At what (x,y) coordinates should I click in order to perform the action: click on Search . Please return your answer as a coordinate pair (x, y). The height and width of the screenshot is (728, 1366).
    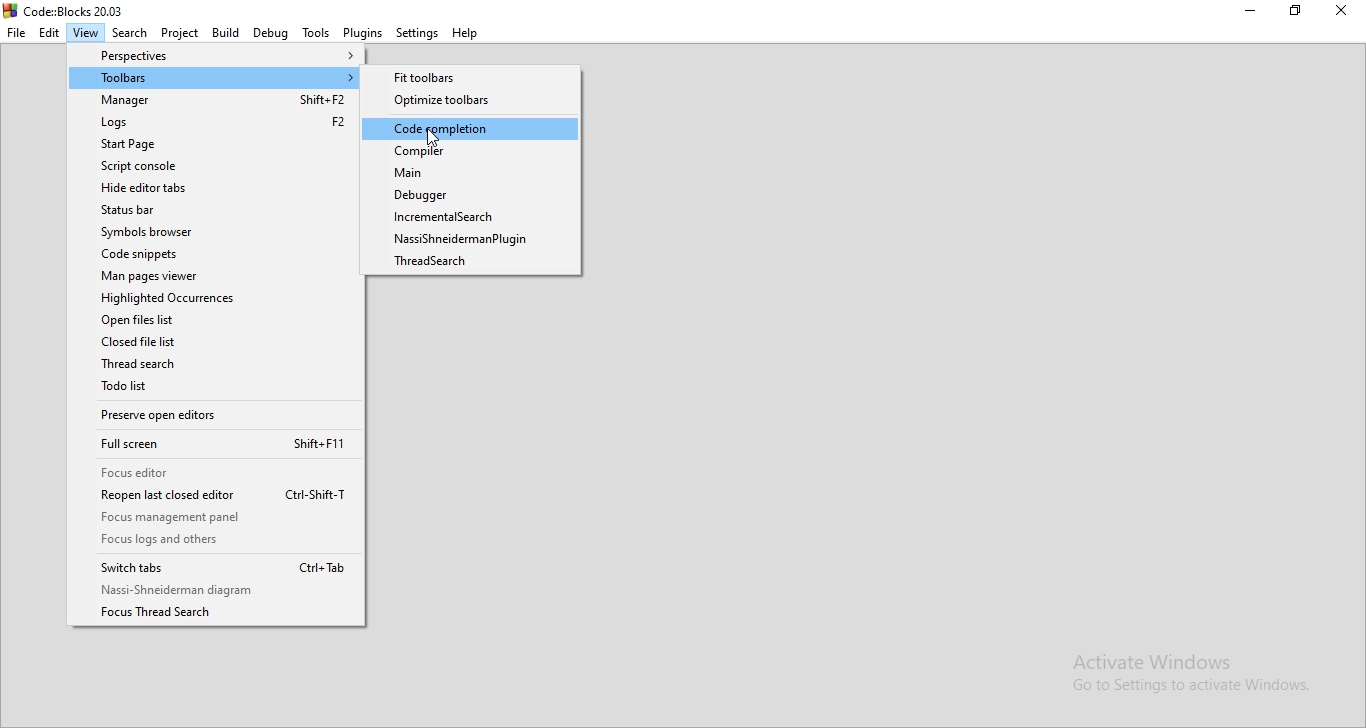
    Looking at the image, I should click on (130, 31).